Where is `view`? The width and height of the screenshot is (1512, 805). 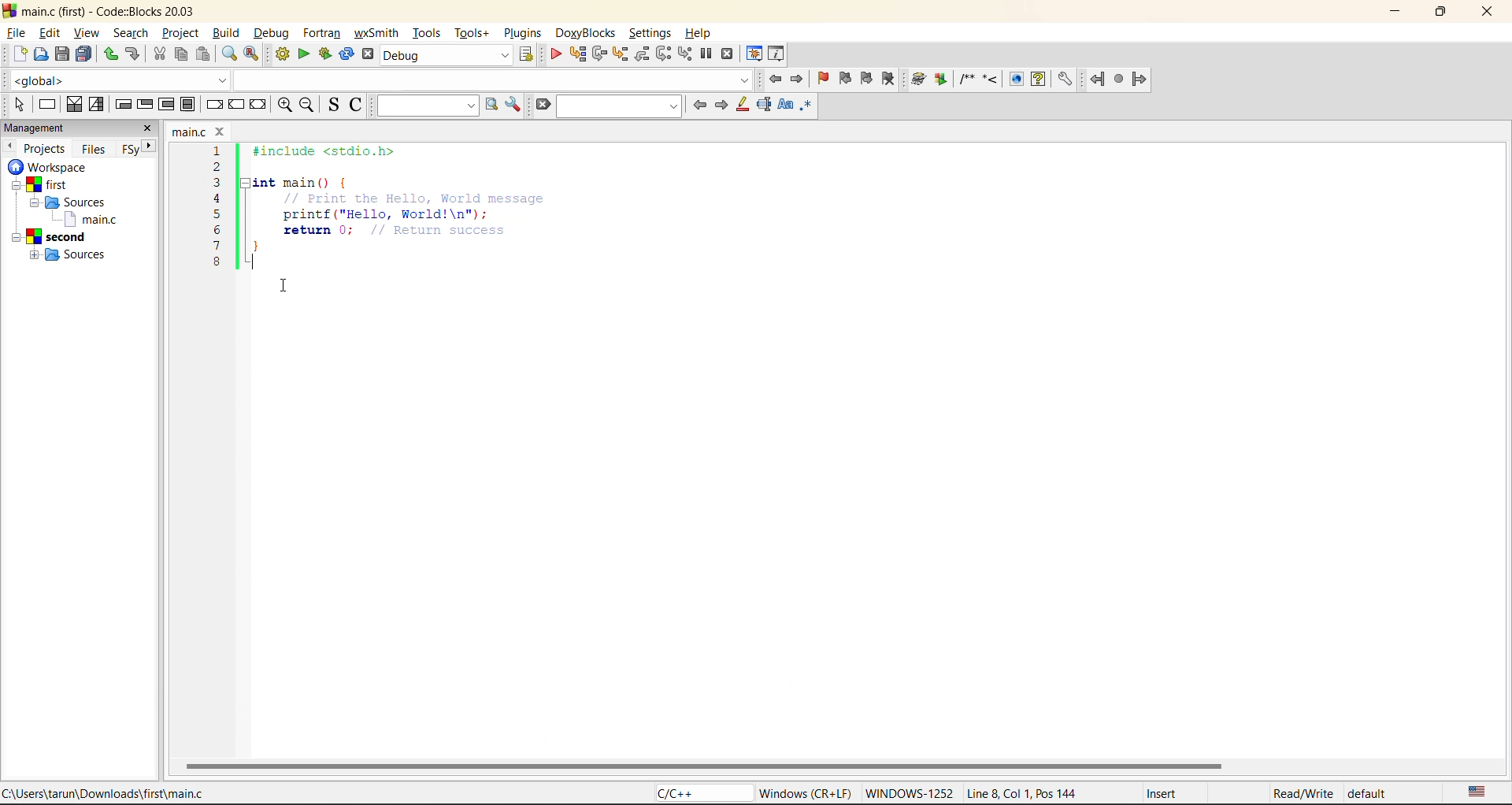
view is located at coordinates (87, 31).